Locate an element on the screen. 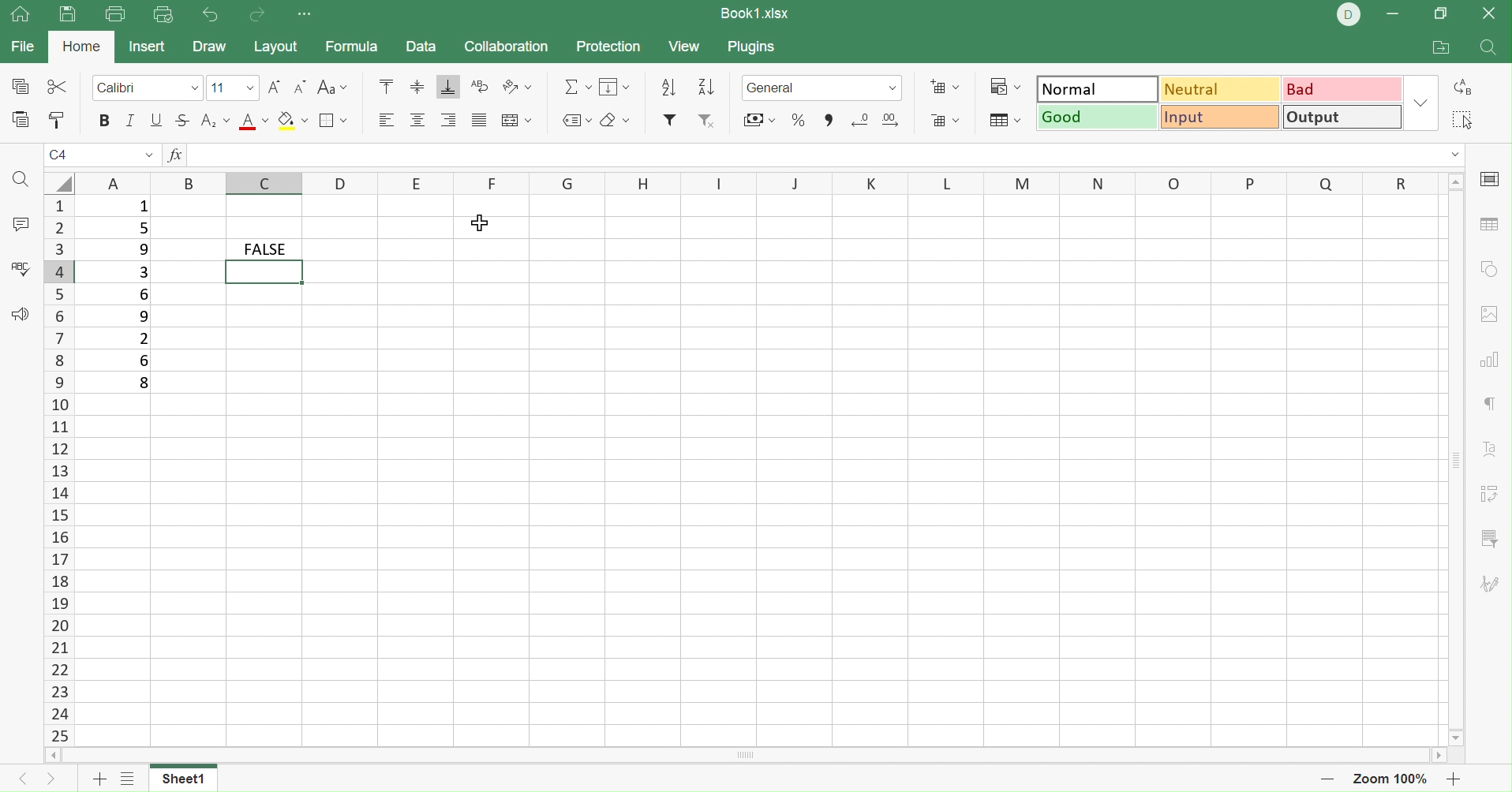 The image size is (1512, 792). Text art settings is located at coordinates (1491, 447).